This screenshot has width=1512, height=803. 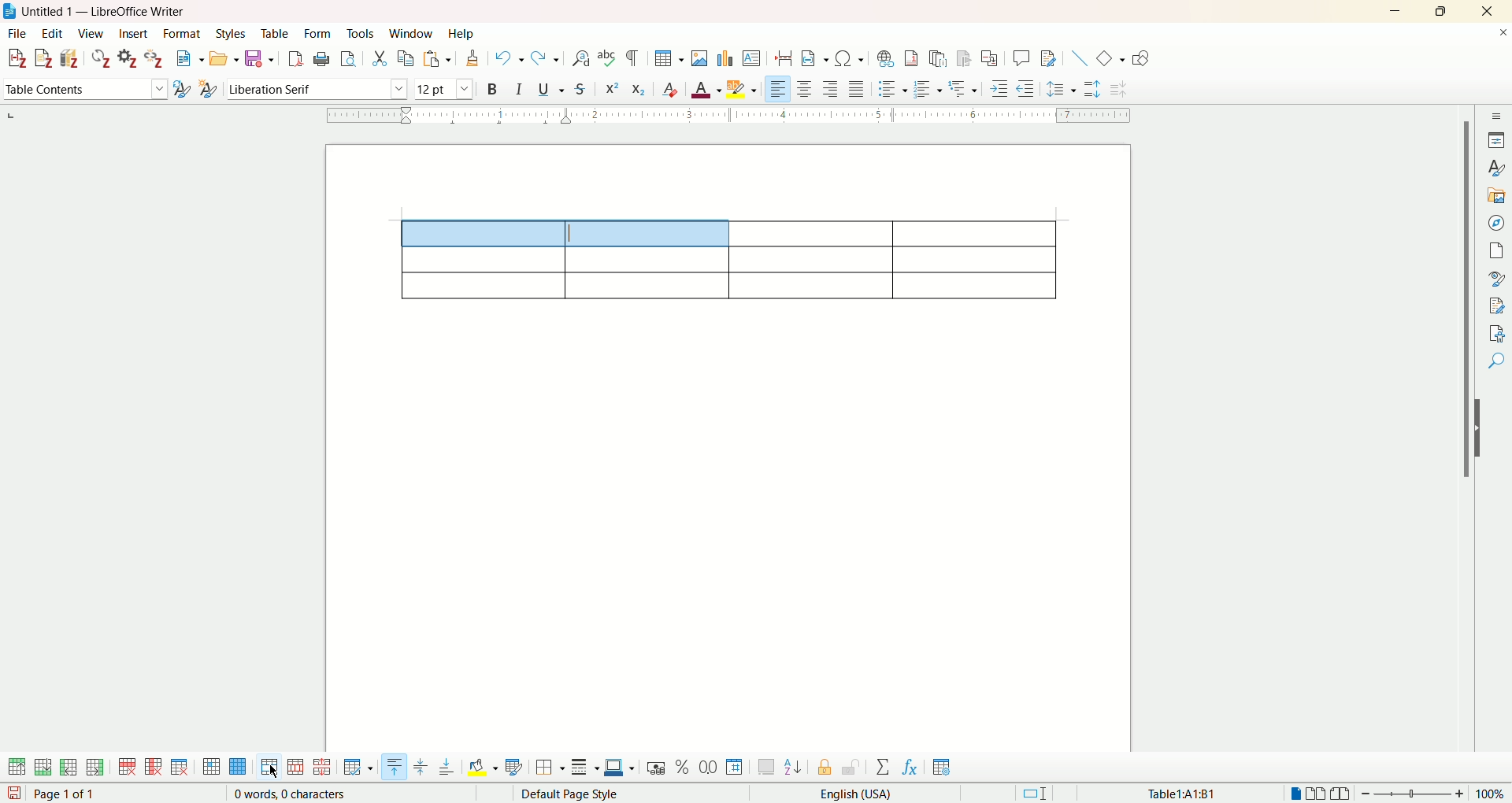 What do you see at coordinates (188, 58) in the screenshot?
I see `new` at bounding box center [188, 58].